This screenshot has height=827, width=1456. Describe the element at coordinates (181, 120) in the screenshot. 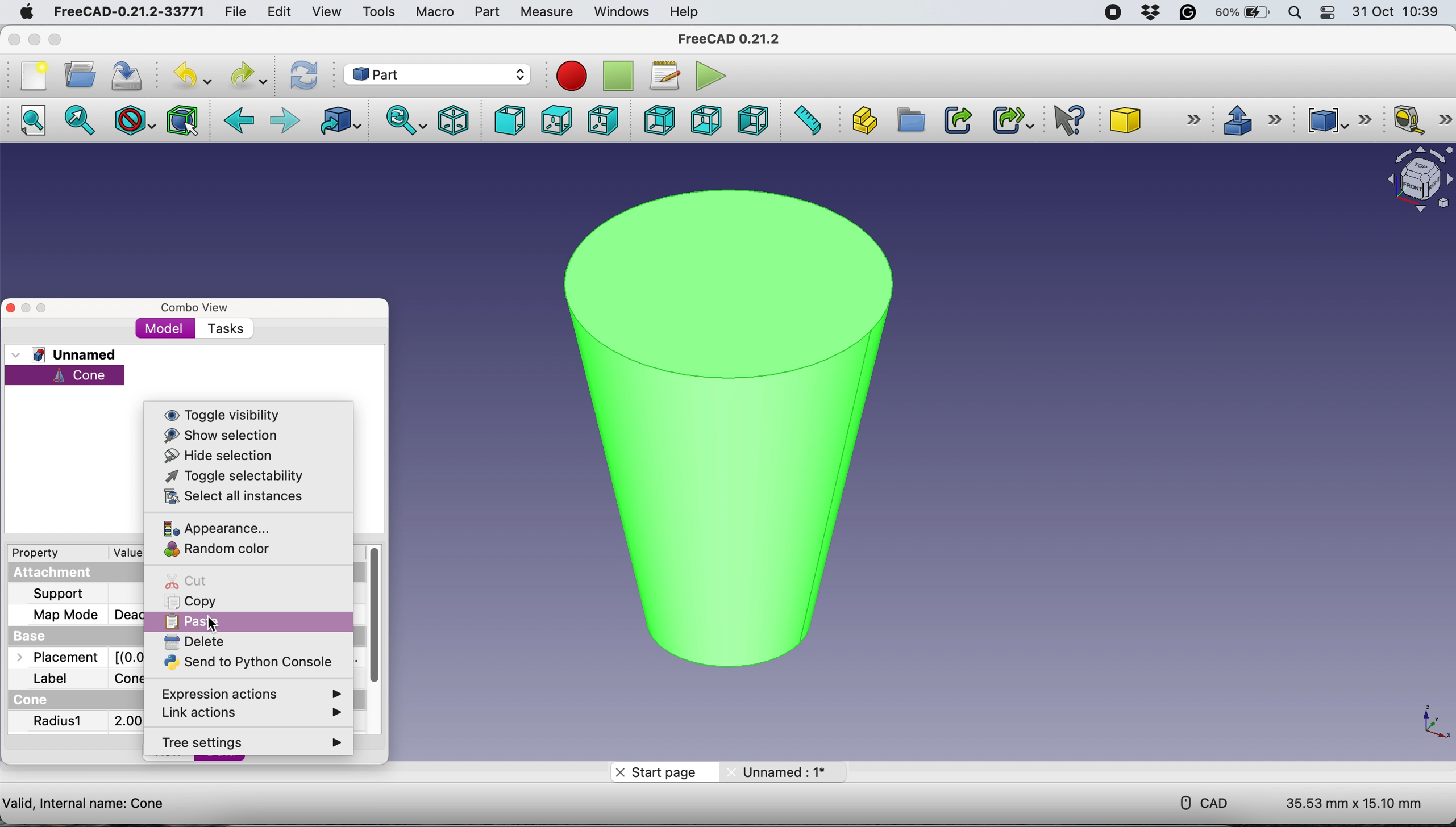

I see `bounding box` at that location.